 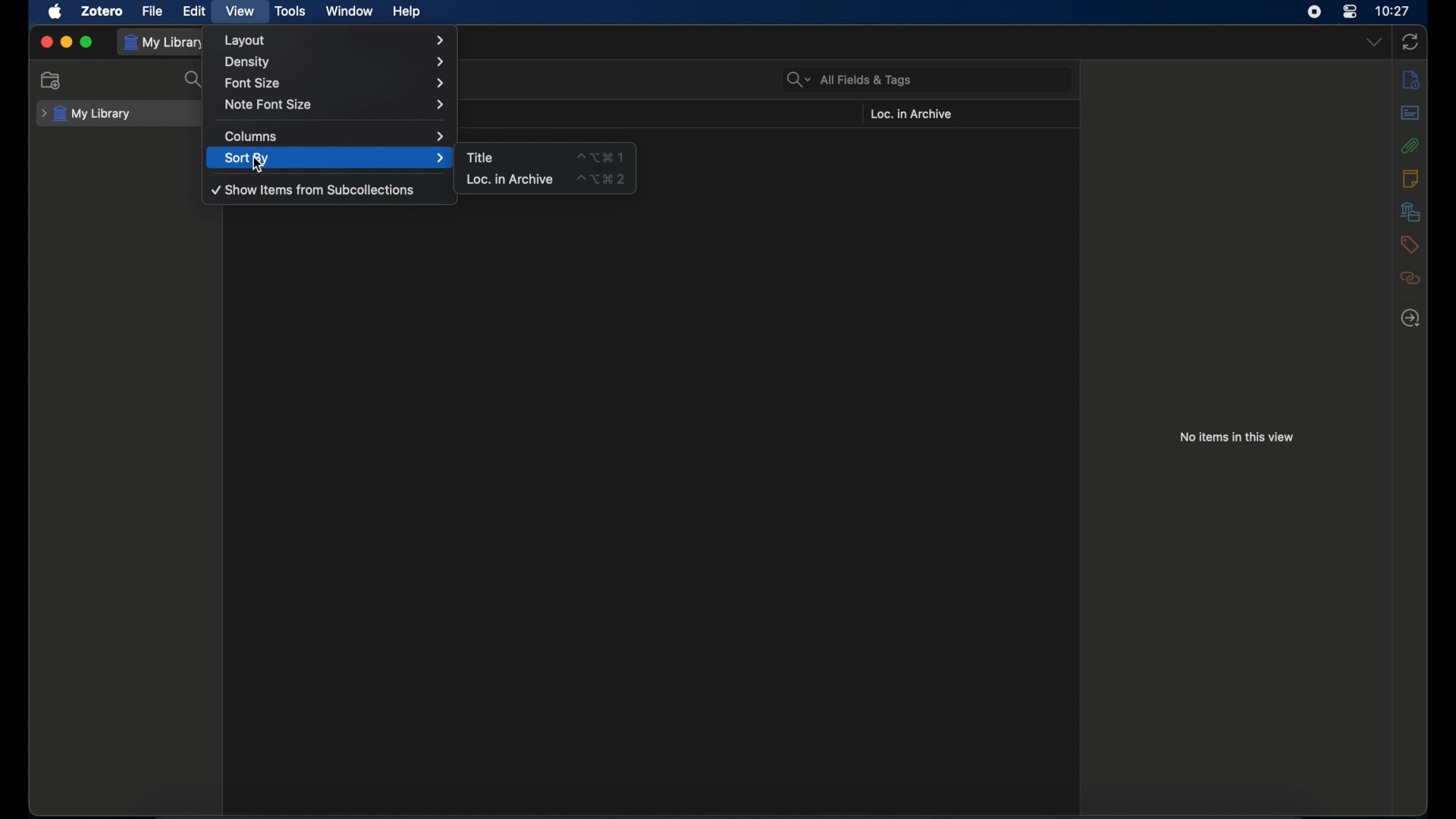 What do you see at coordinates (165, 43) in the screenshot?
I see `my library` at bounding box center [165, 43].